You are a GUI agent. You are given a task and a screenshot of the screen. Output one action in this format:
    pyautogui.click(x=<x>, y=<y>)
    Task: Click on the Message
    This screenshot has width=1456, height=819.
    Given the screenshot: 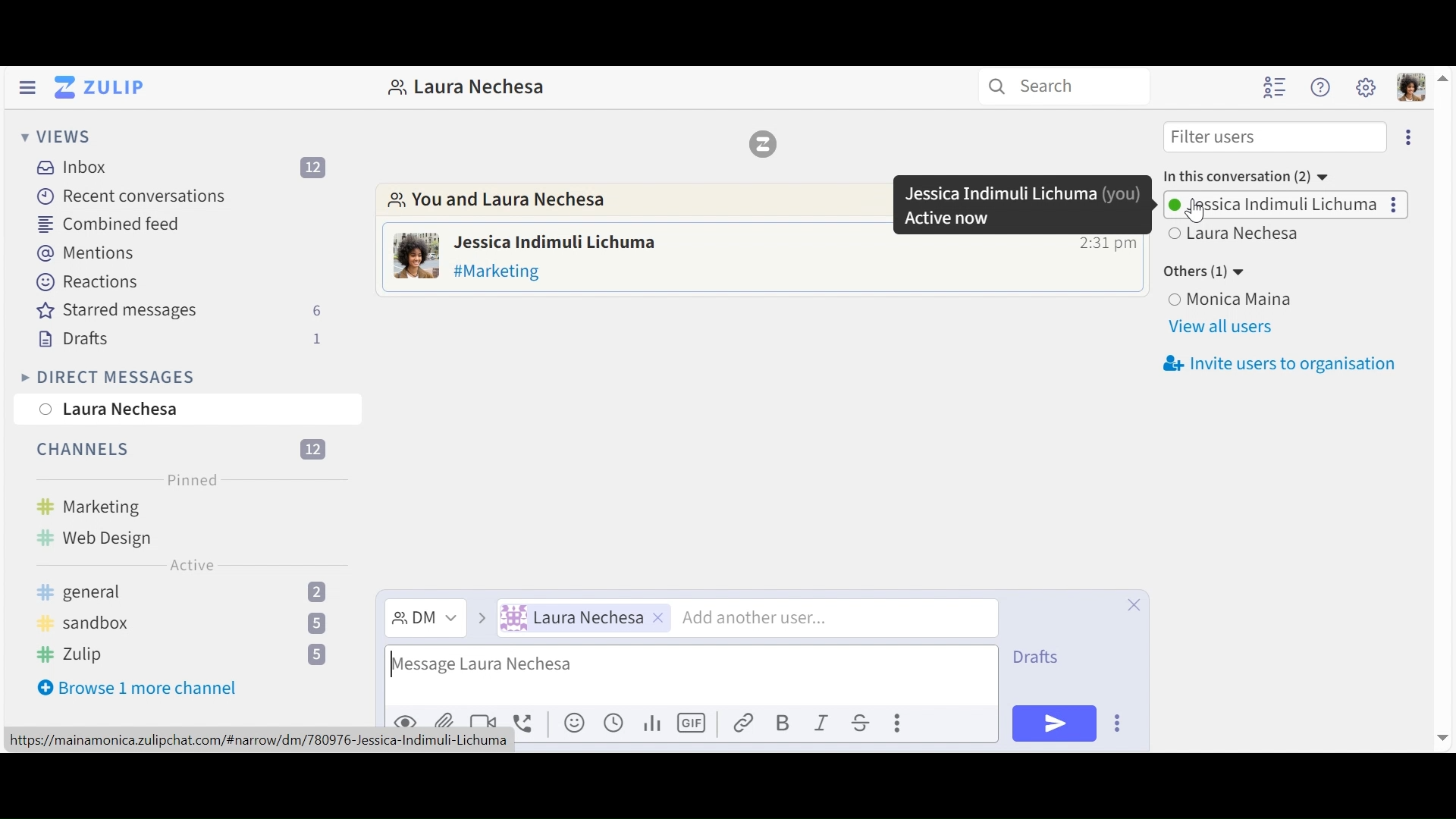 What is the action you would take?
    pyautogui.click(x=503, y=271)
    